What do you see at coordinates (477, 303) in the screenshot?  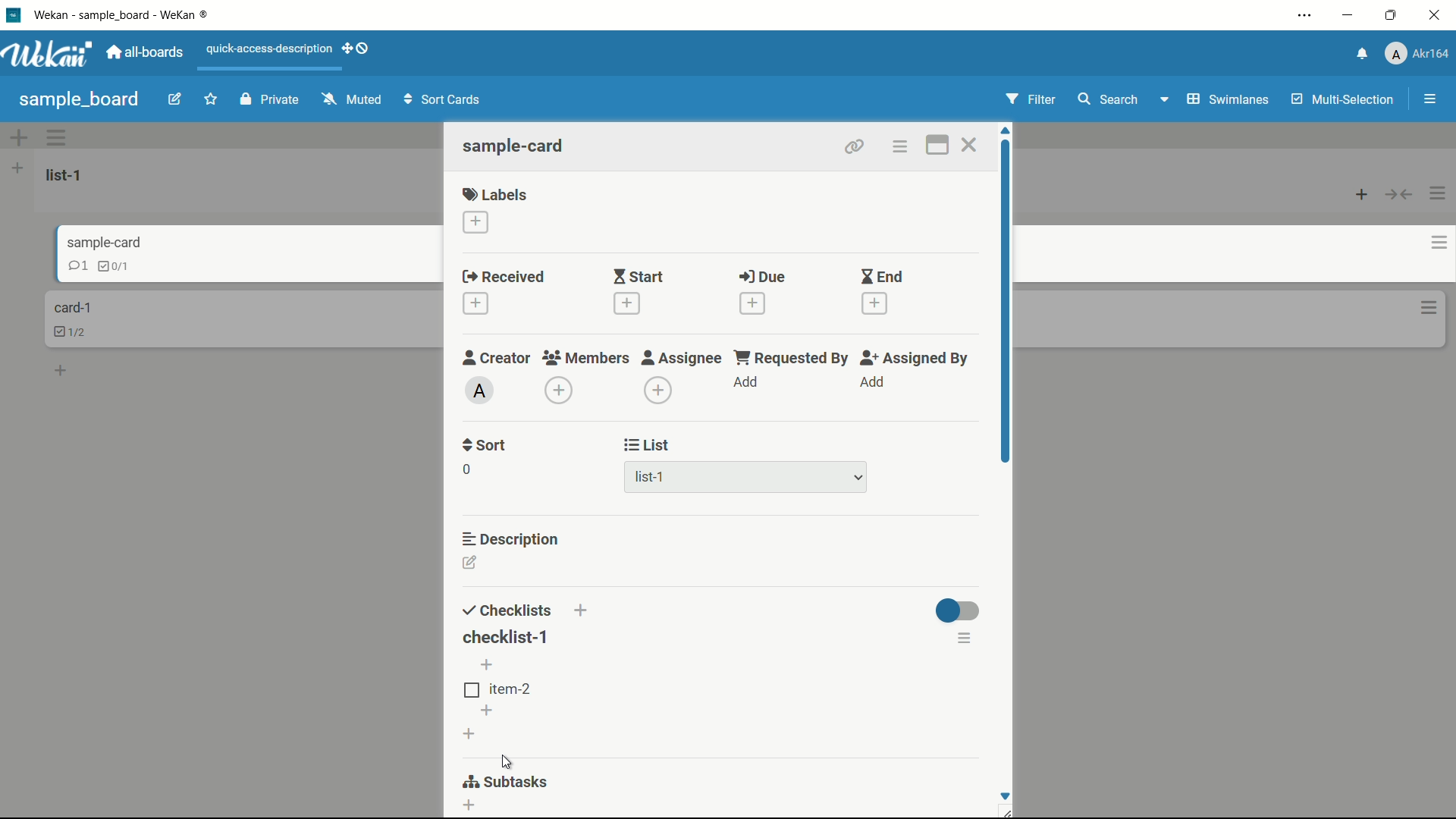 I see `add date` at bounding box center [477, 303].